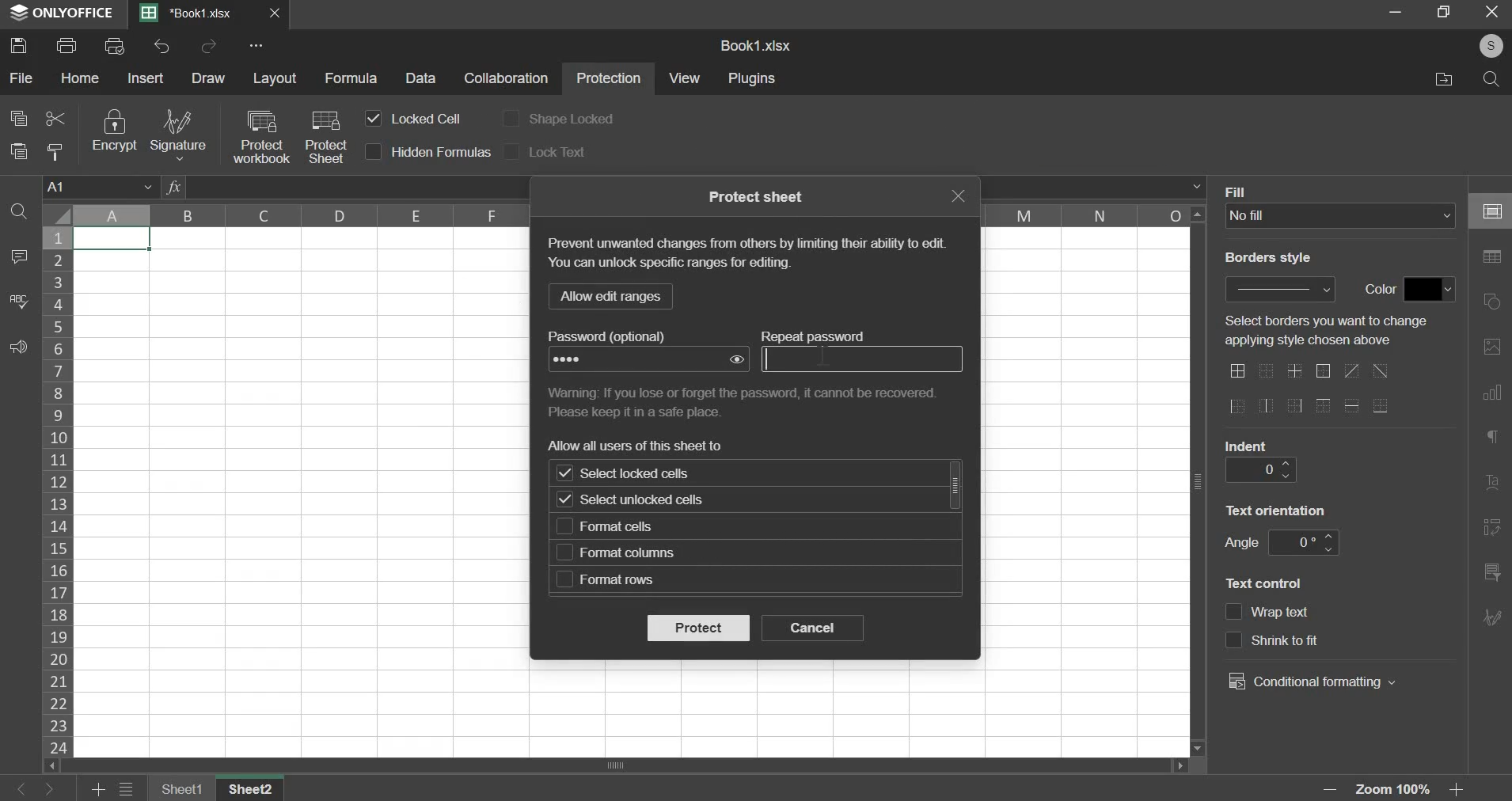  I want to click on checkbox, so click(564, 552).